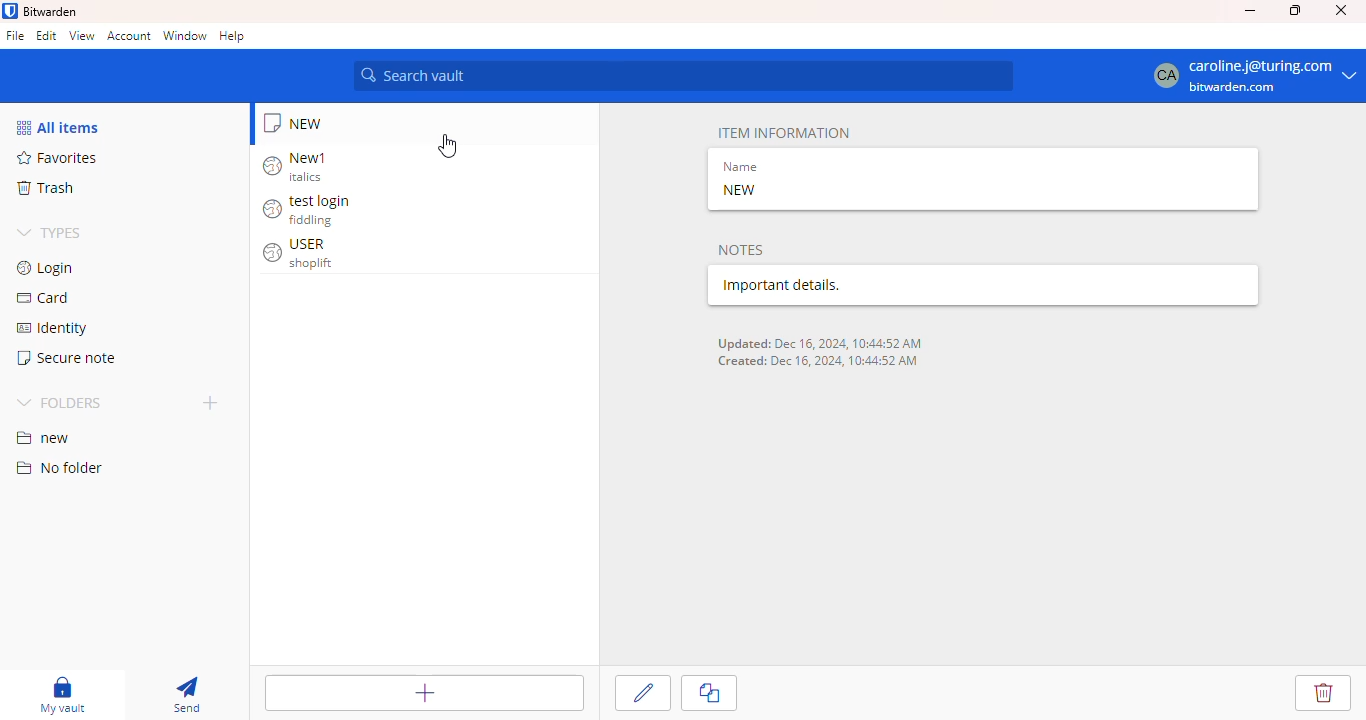 This screenshot has height=720, width=1366. I want to click on maximize, so click(1295, 10).